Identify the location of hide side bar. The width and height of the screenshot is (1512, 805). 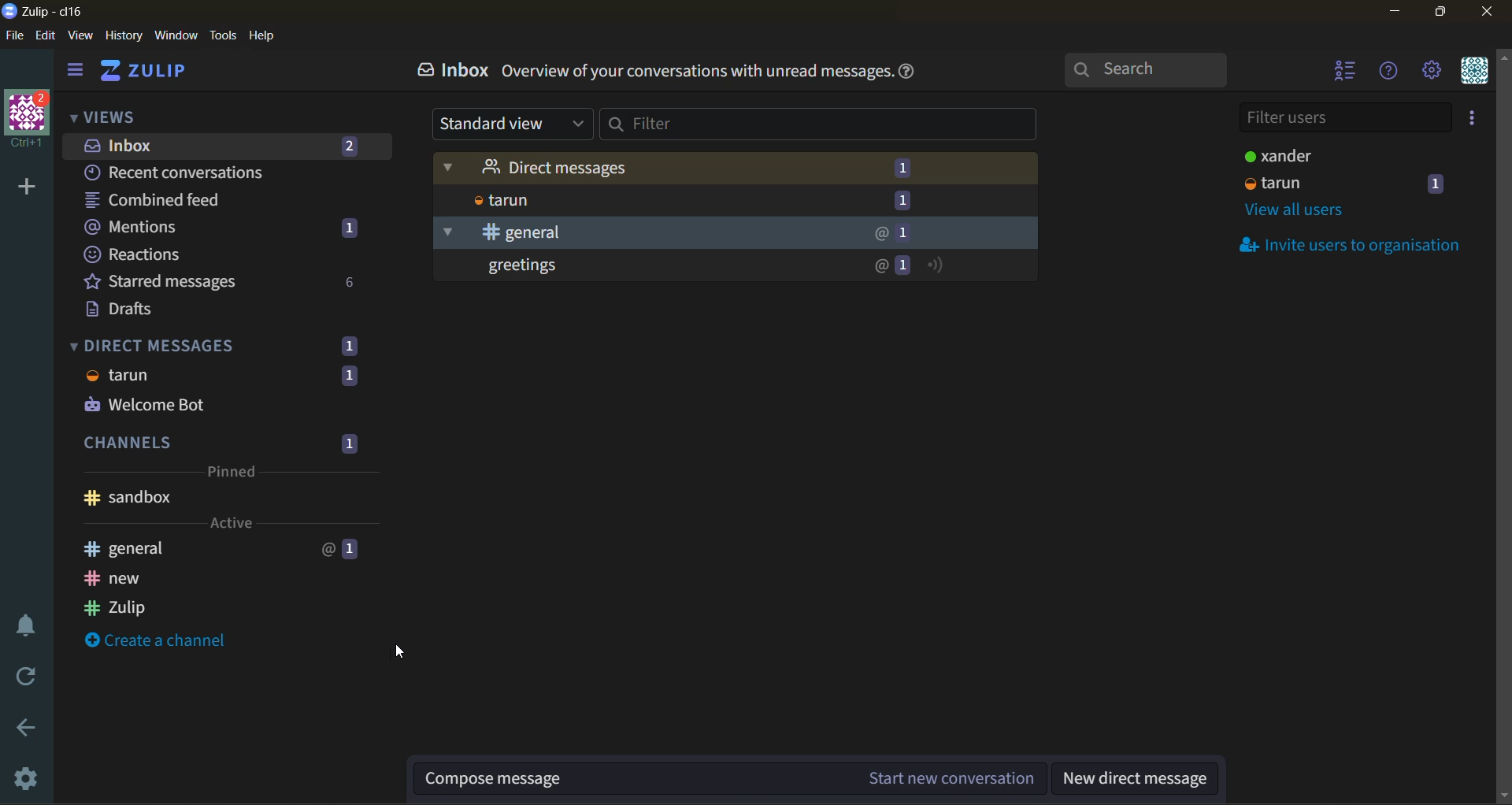
(80, 72).